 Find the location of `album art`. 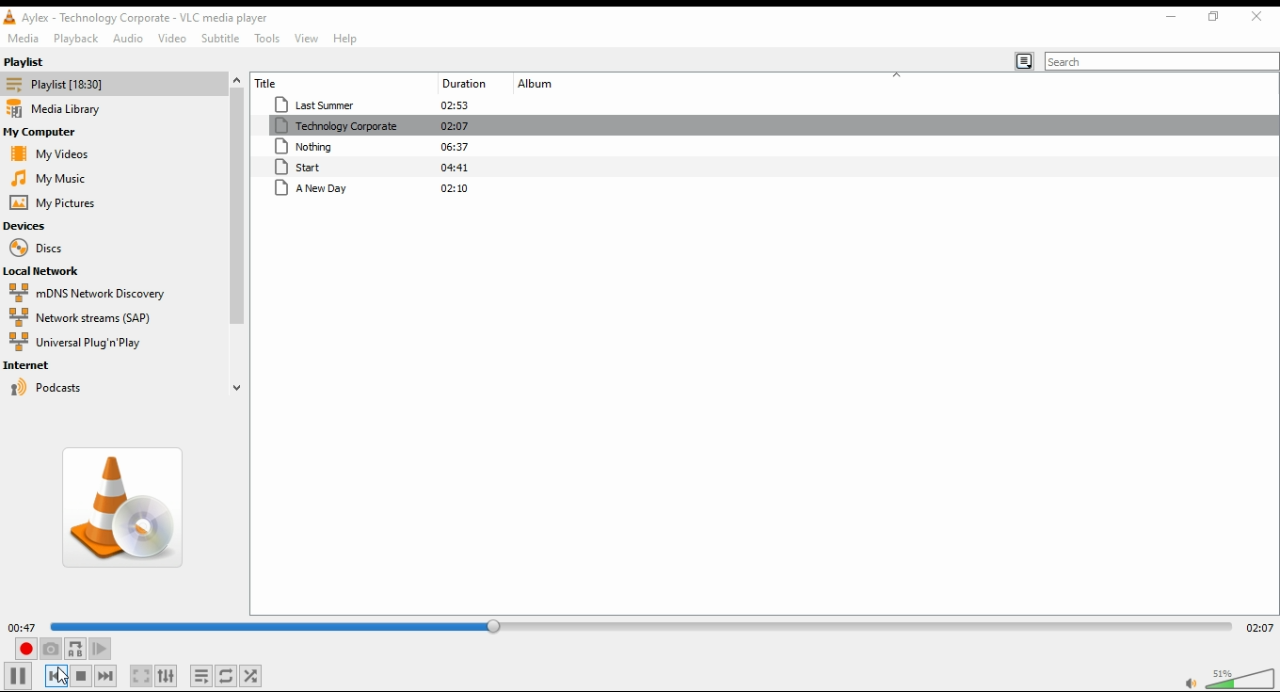

album art is located at coordinates (119, 510).